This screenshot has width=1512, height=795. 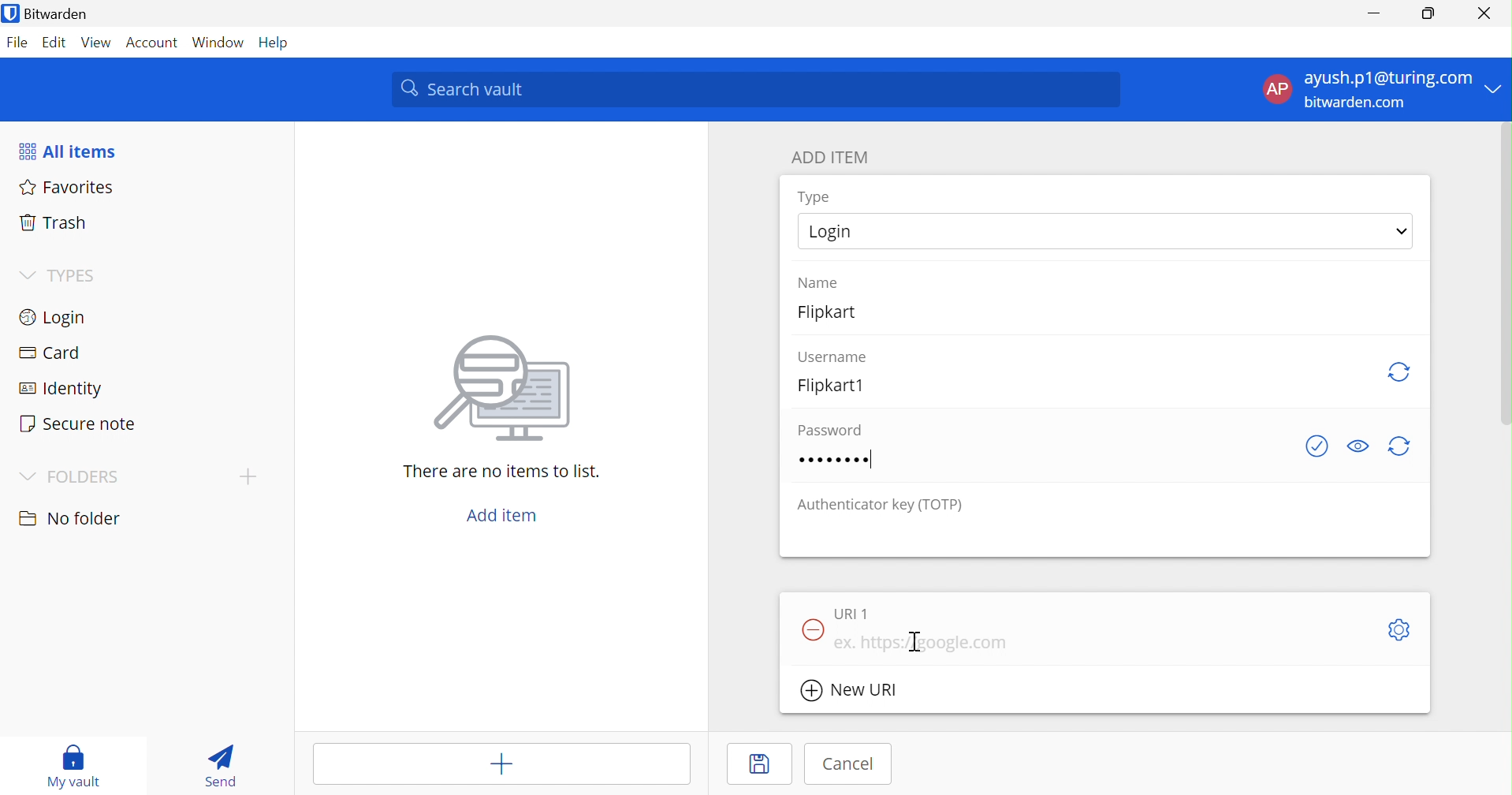 What do you see at coordinates (62, 390) in the screenshot?
I see `Identity` at bounding box center [62, 390].